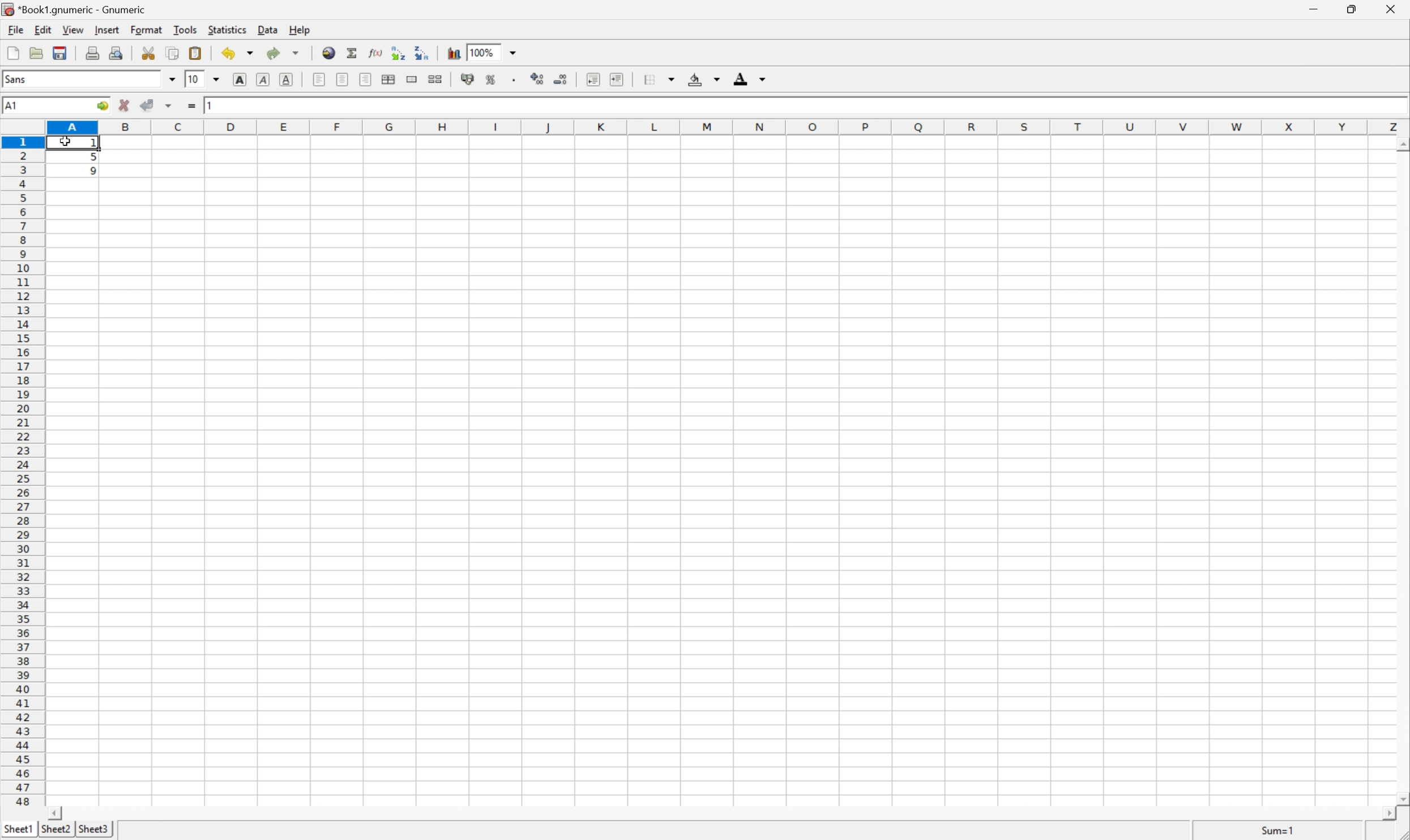  What do you see at coordinates (91, 51) in the screenshot?
I see `print` at bounding box center [91, 51].